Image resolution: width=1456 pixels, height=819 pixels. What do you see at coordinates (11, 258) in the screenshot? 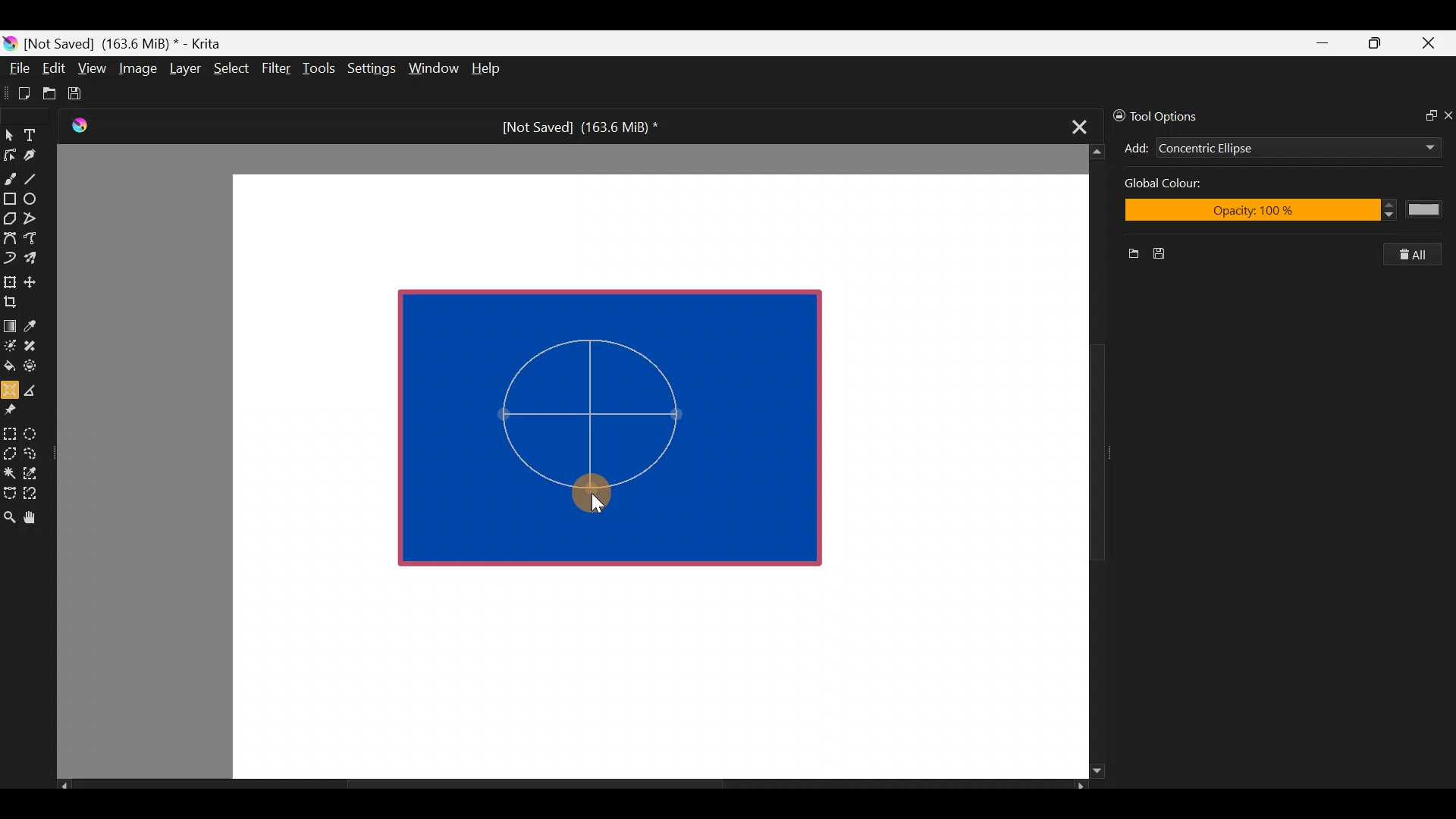
I see `Dynamic brush tool` at bounding box center [11, 258].